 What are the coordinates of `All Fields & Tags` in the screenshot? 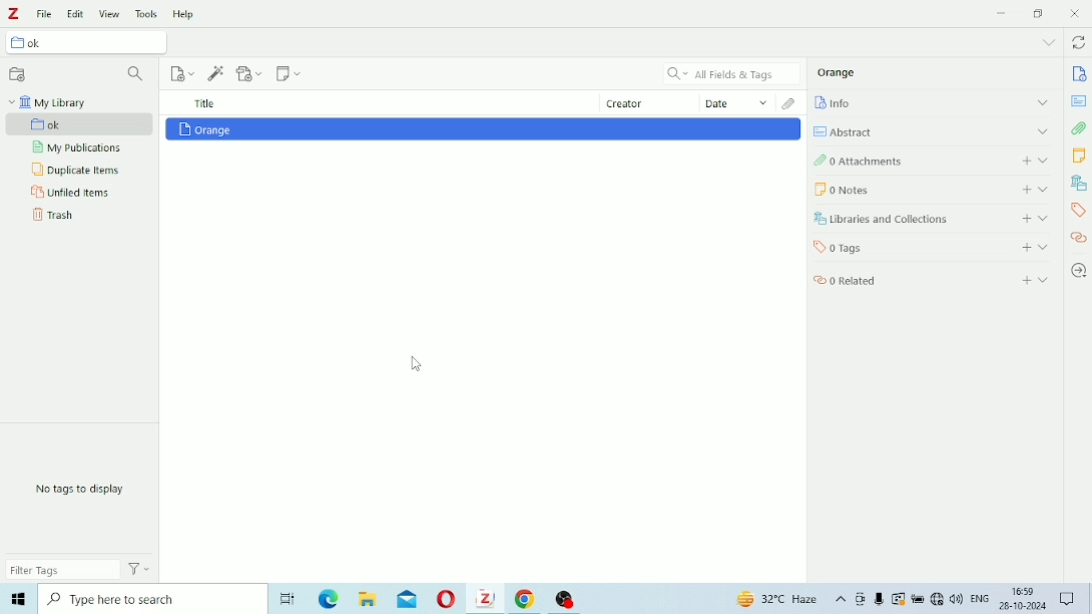 It's located at (732, 74).